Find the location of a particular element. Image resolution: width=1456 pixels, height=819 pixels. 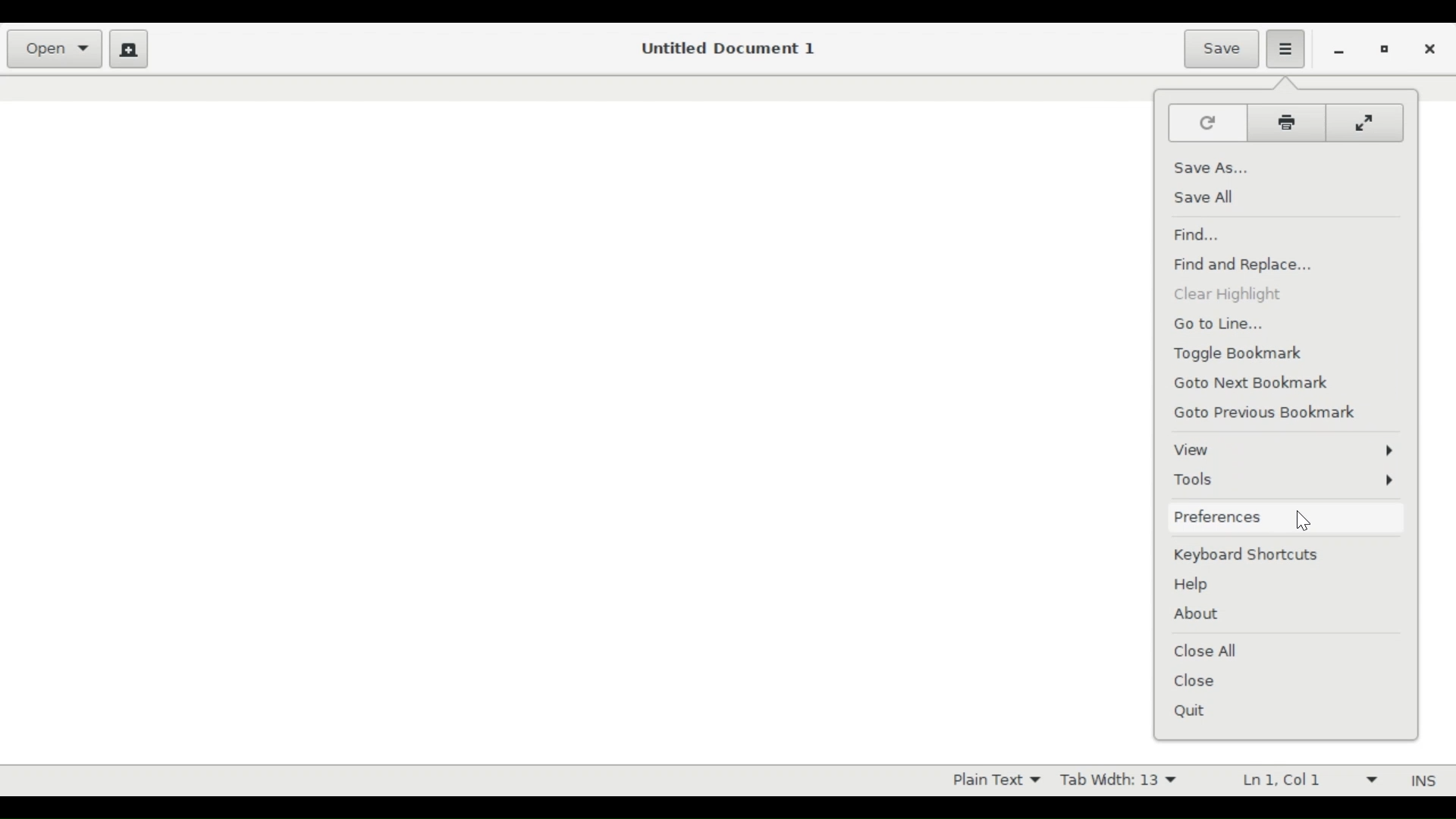

Close all is located at coordinates (1210, 650).